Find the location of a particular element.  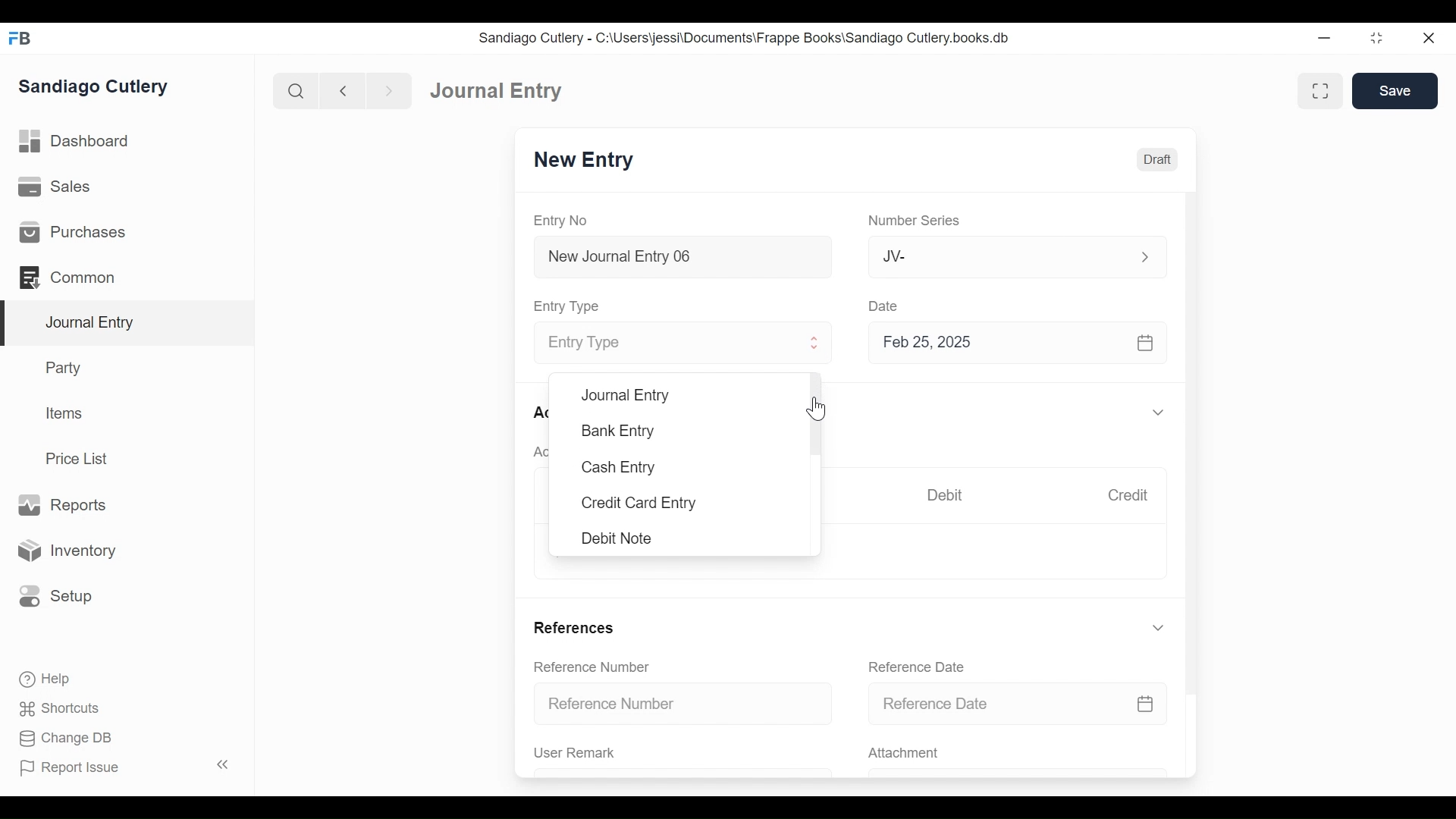

minimize is located at coordinates (1325, 37).